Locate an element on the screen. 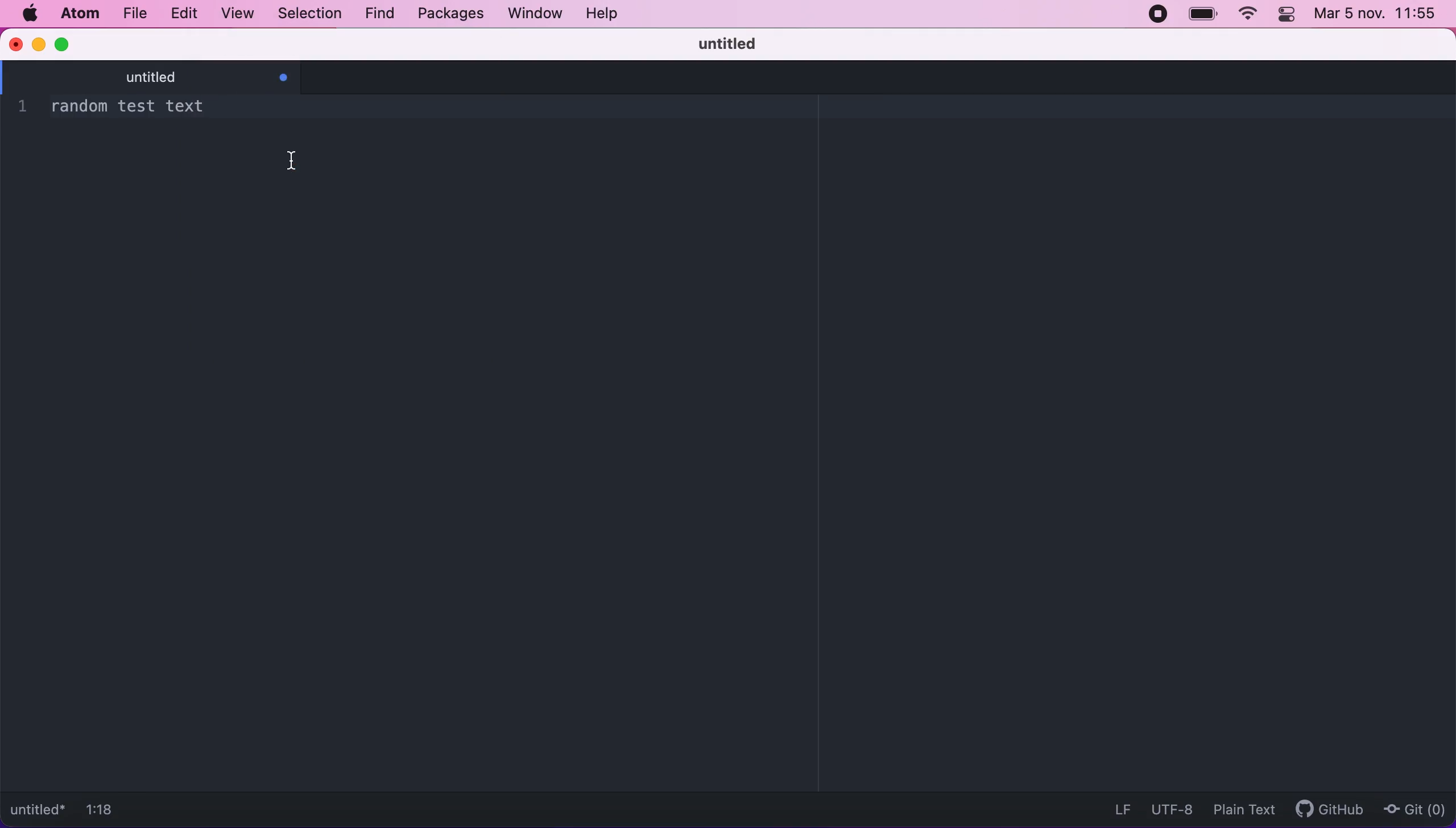  recording stopped is located at coordinates (1155, 15).